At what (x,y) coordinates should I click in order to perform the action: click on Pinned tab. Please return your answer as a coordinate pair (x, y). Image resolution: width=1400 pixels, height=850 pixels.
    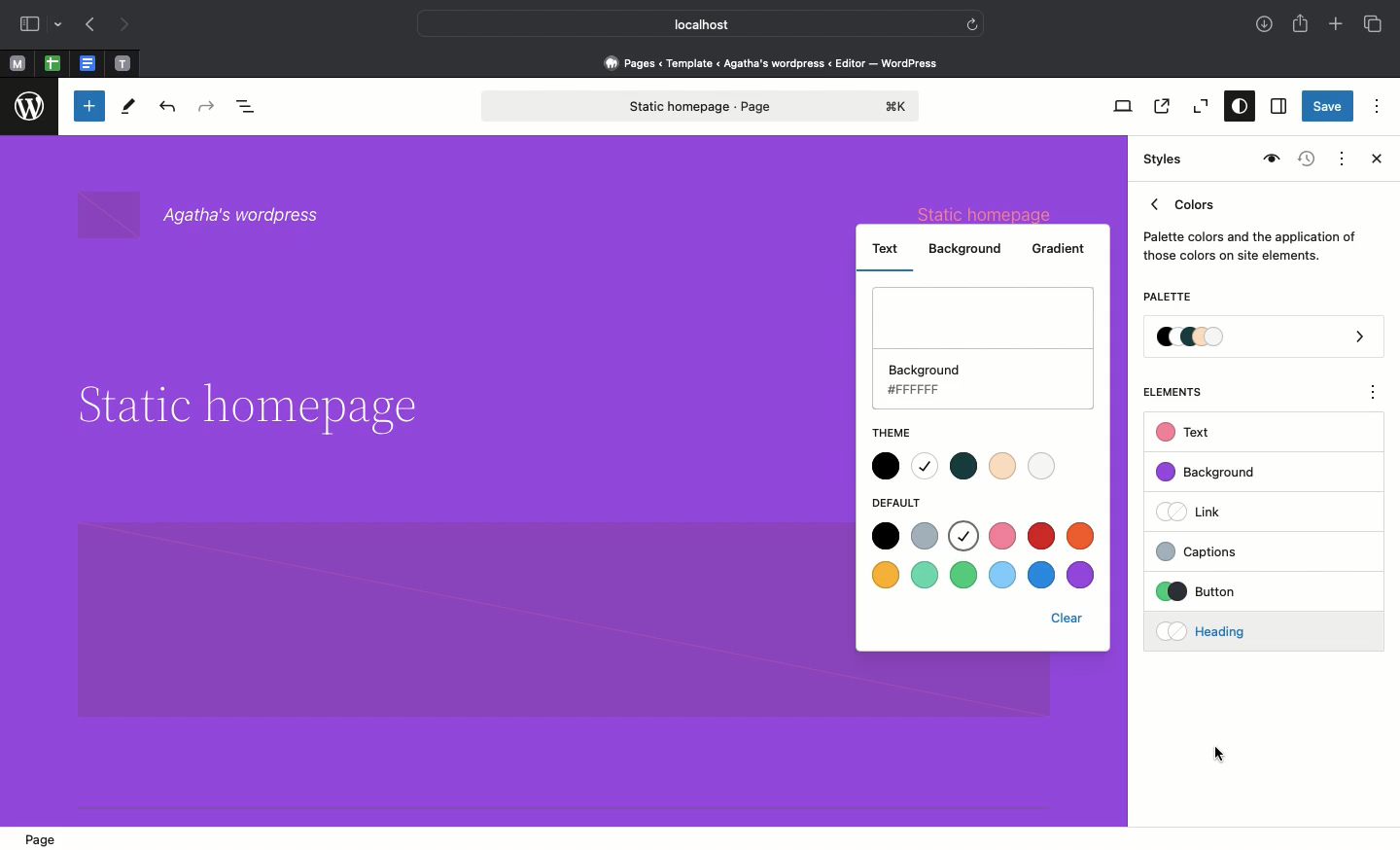
    Looking at the image, I should click on (123, 64).